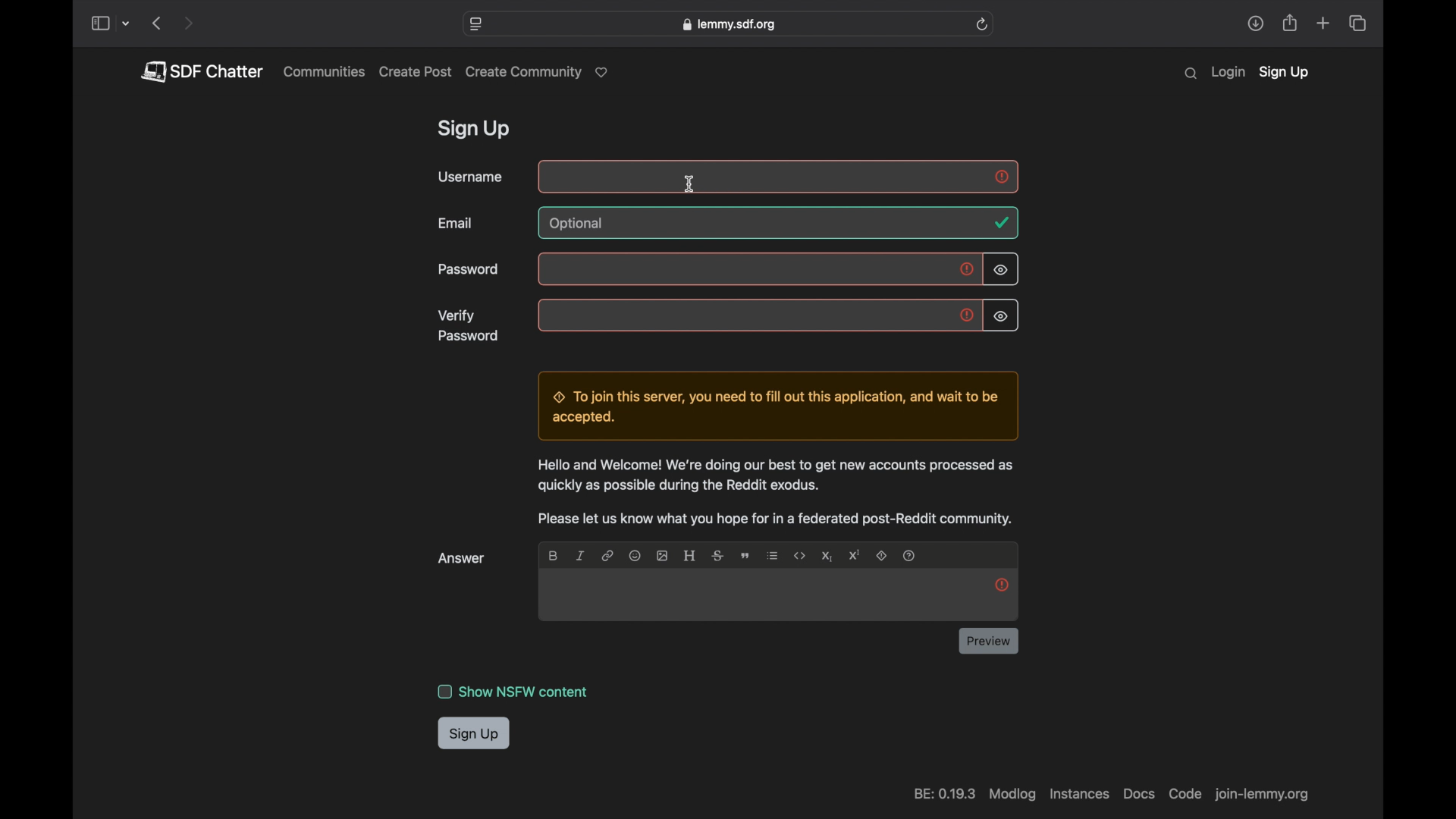  Describe the element at coordinates (469, 270) in the screenshot. I see `password` at that location.